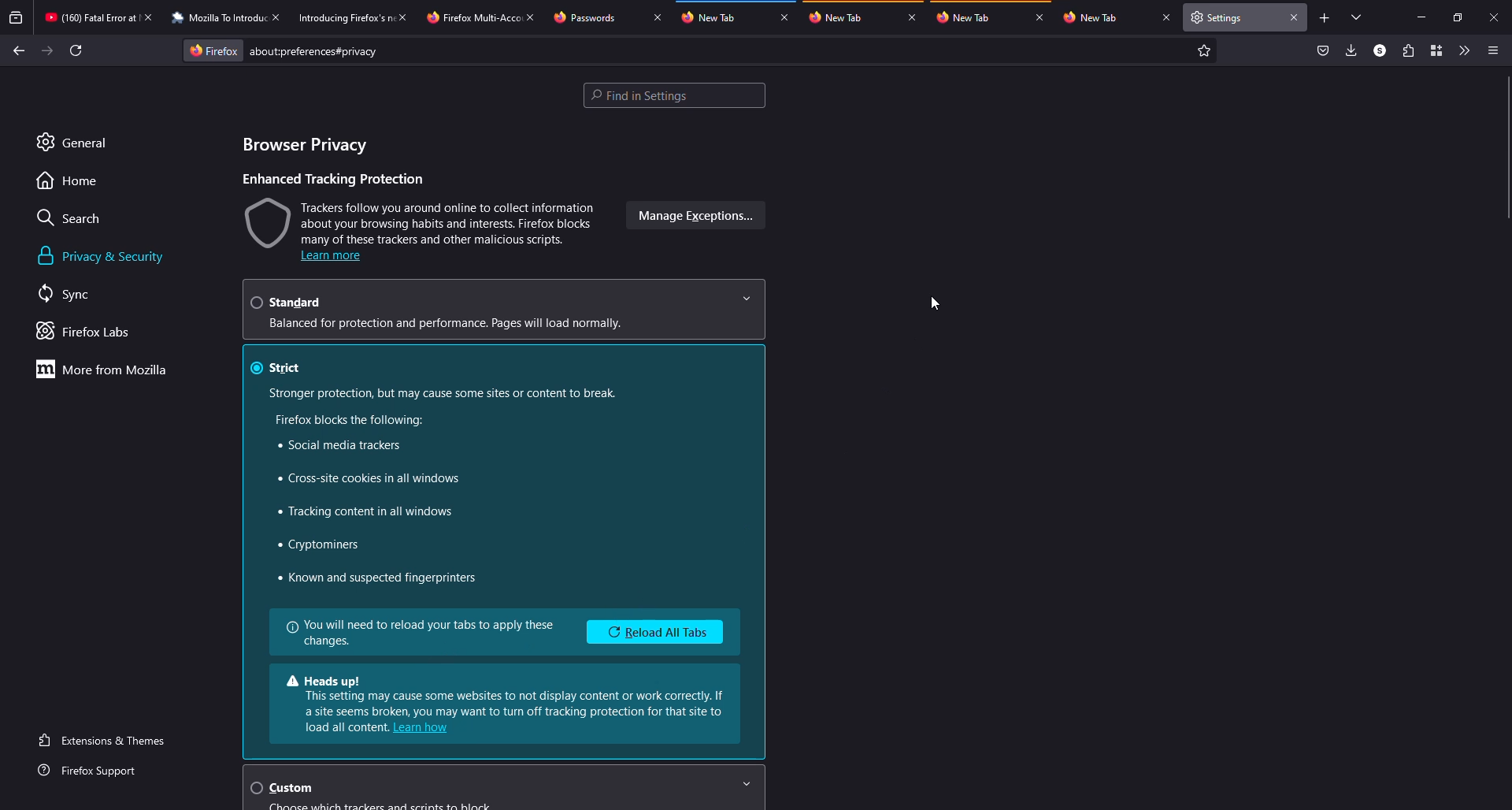 This screenshot has width=1512, height=810. Describe the element at coordinates (747, 300) in the screenshot. I see `expand` at that location.